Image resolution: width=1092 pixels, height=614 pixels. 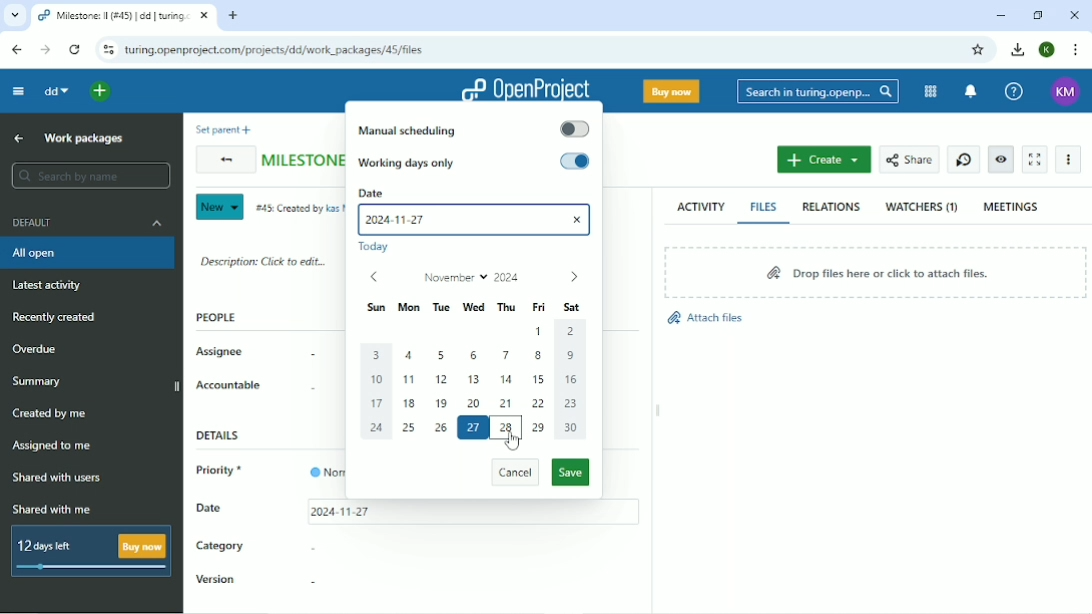 What do you see at coordinates (54, 317) in the screenshot?
I see `Recently created` at bounding box center [54, 317].